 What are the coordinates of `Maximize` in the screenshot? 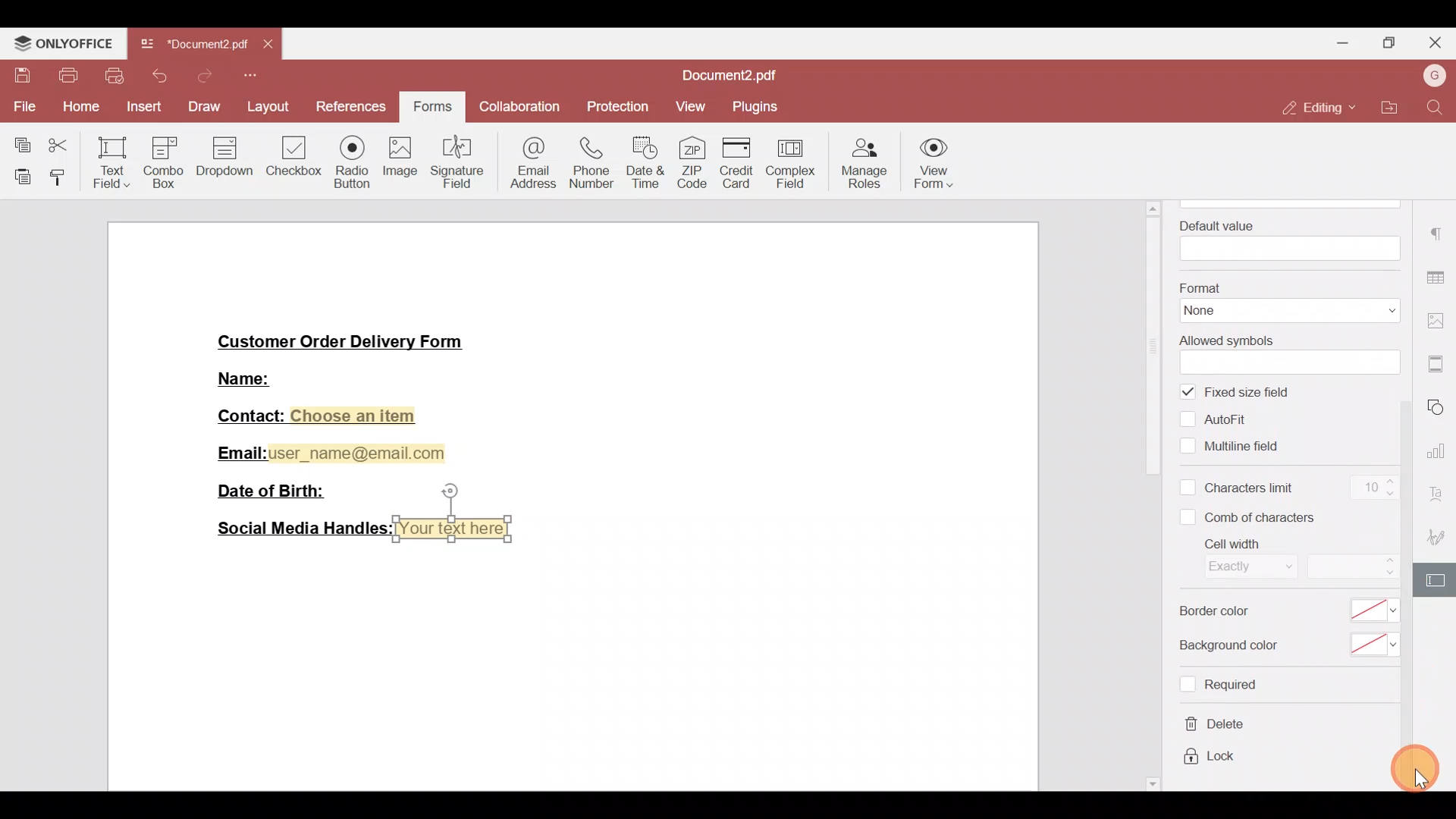 It's located at (1395, 42).